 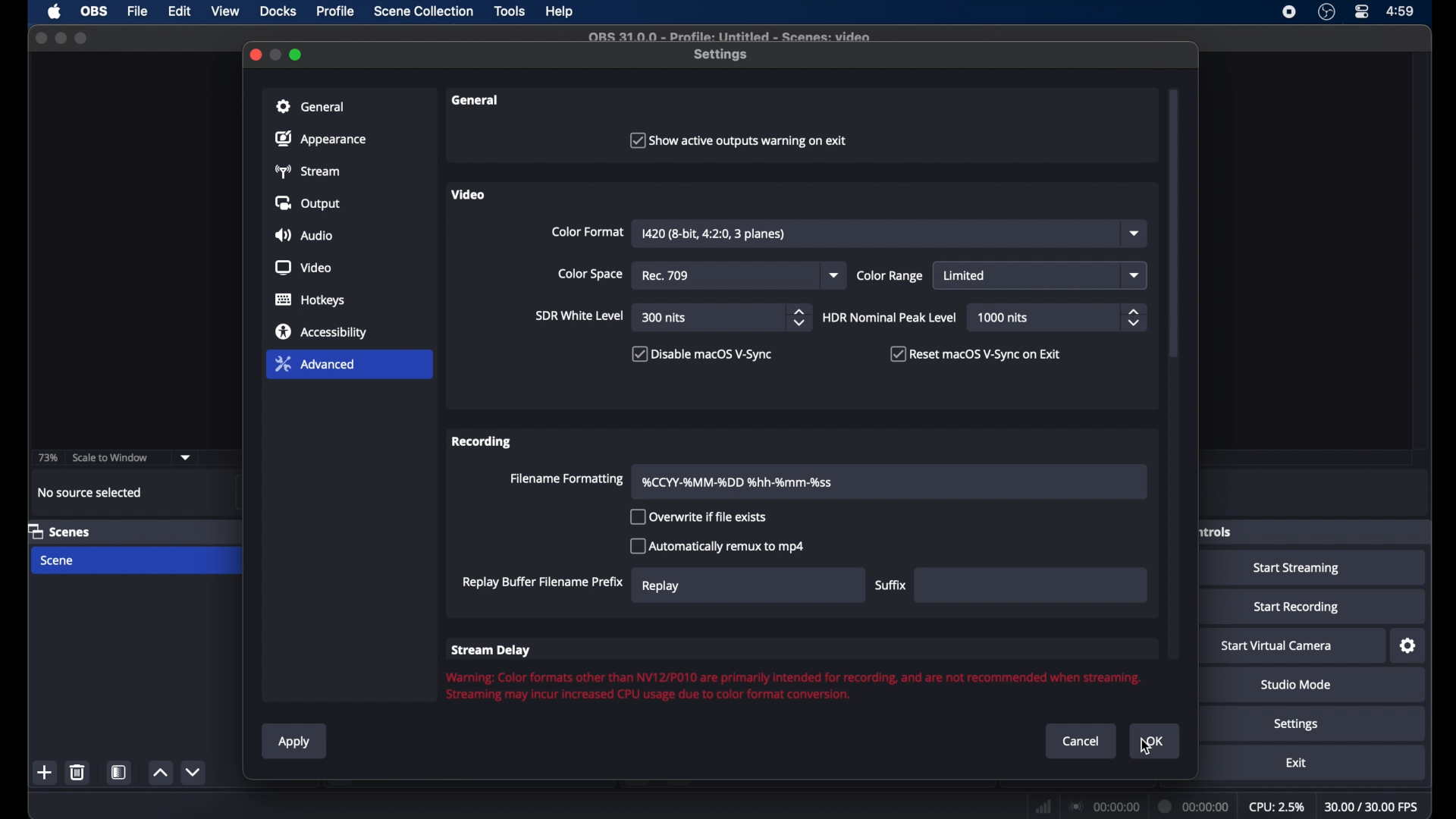 I want to click on control center, so click(x=1360, y=11).